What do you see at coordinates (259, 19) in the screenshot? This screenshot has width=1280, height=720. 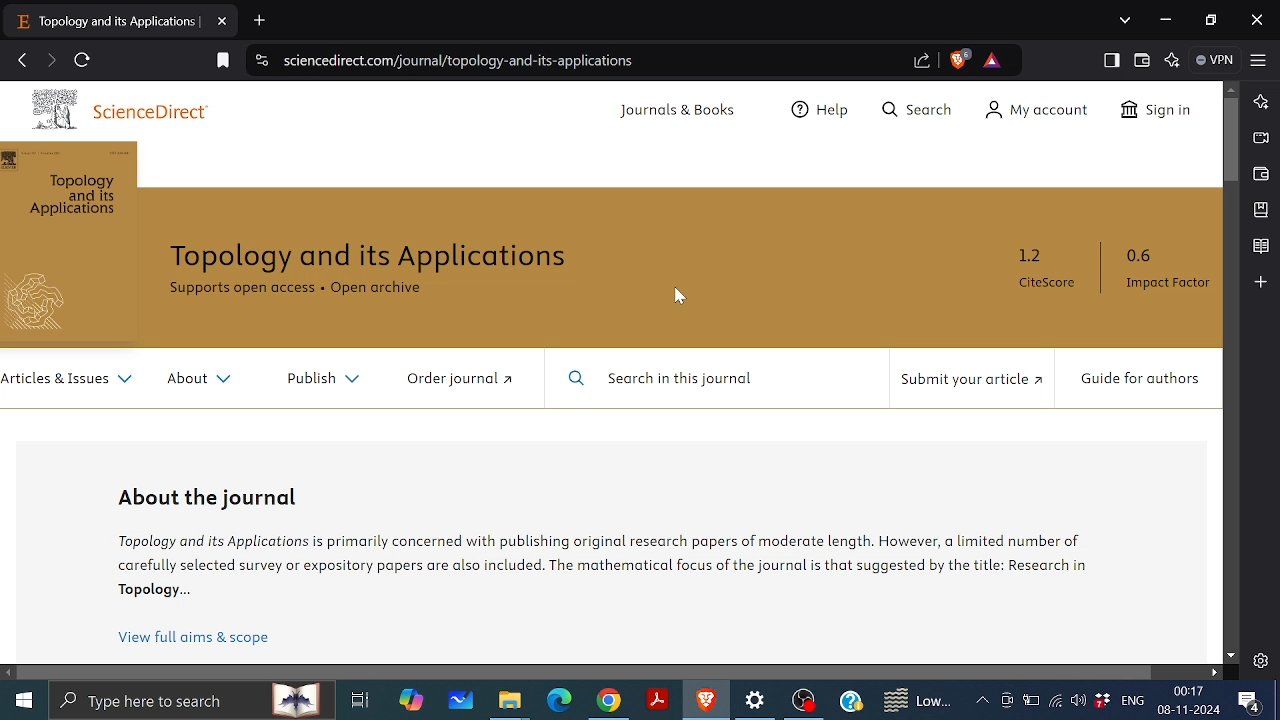 I see `Add new tab` at bounding box center [259, 19].